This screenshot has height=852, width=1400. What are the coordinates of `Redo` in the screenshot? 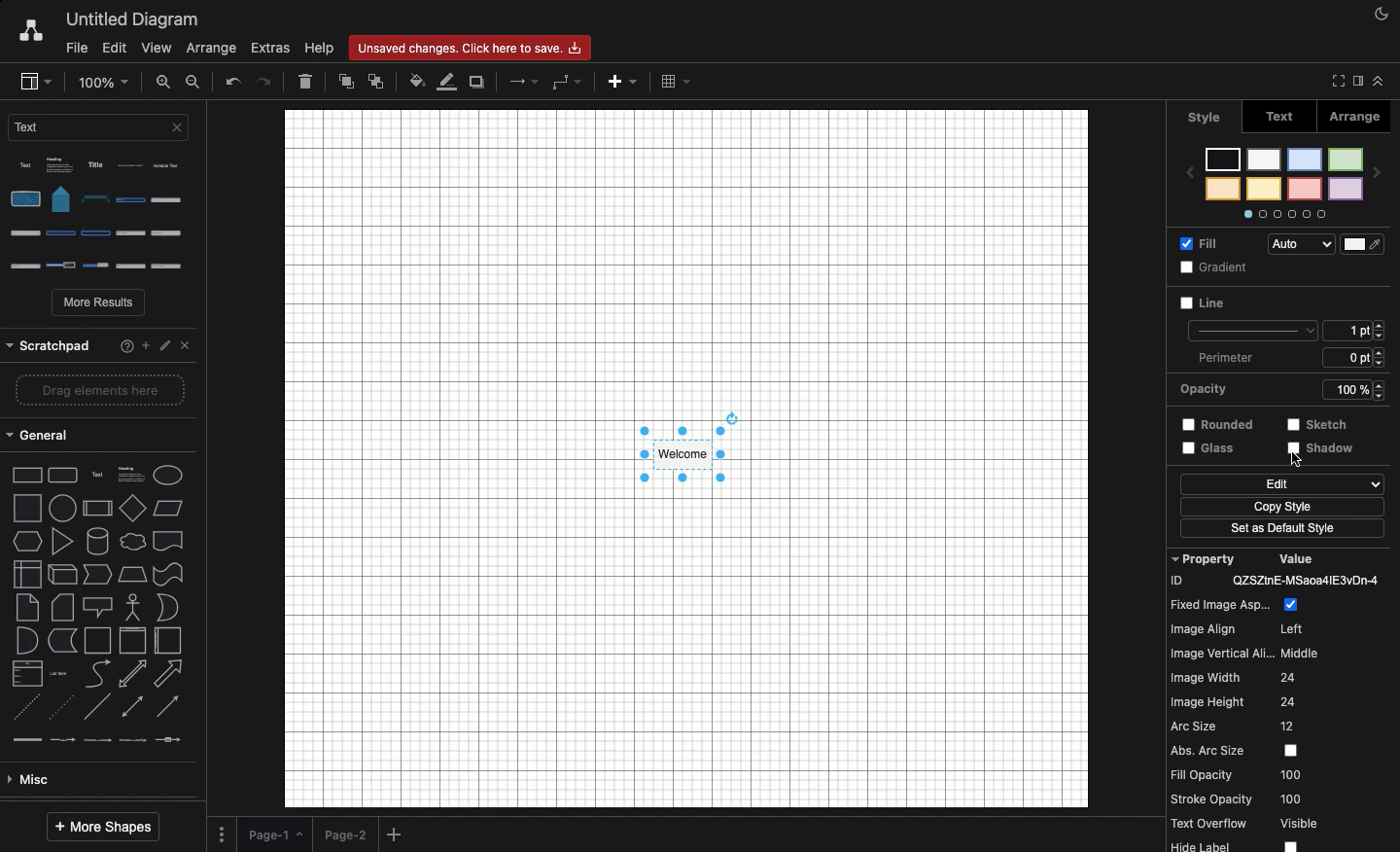 It's located at (266, 81).